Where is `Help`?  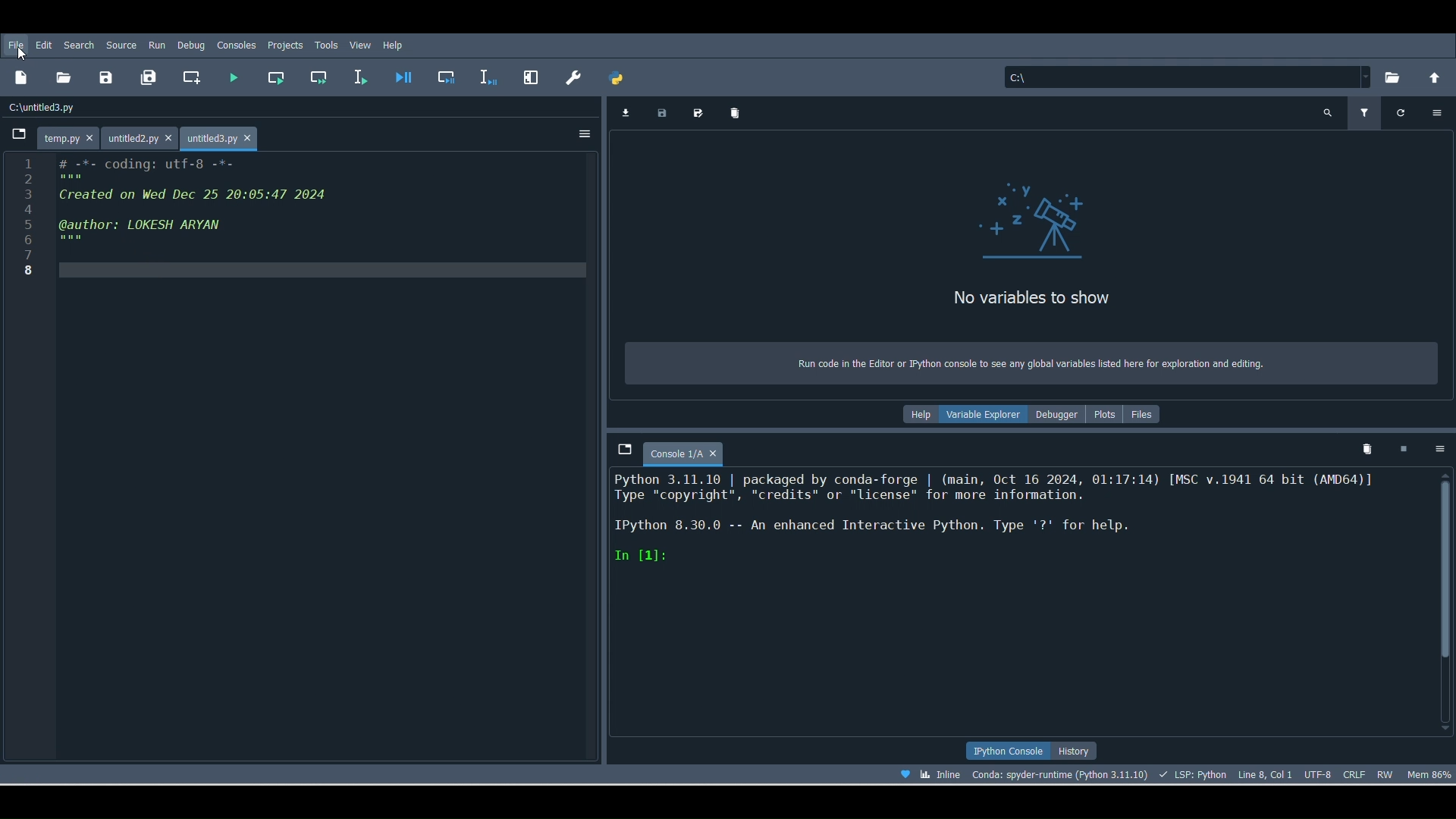
Help is located at coordinates (394, 45).